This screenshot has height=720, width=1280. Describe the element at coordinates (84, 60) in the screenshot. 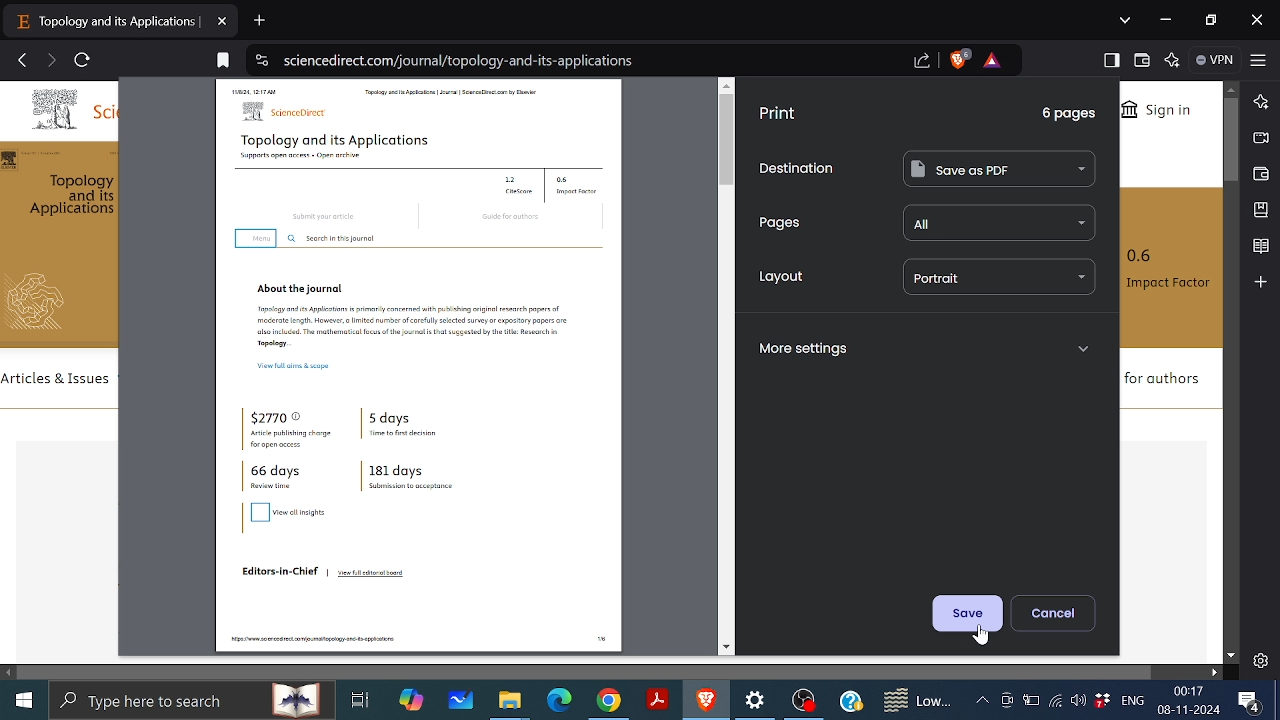

I see `Reload` at that location.